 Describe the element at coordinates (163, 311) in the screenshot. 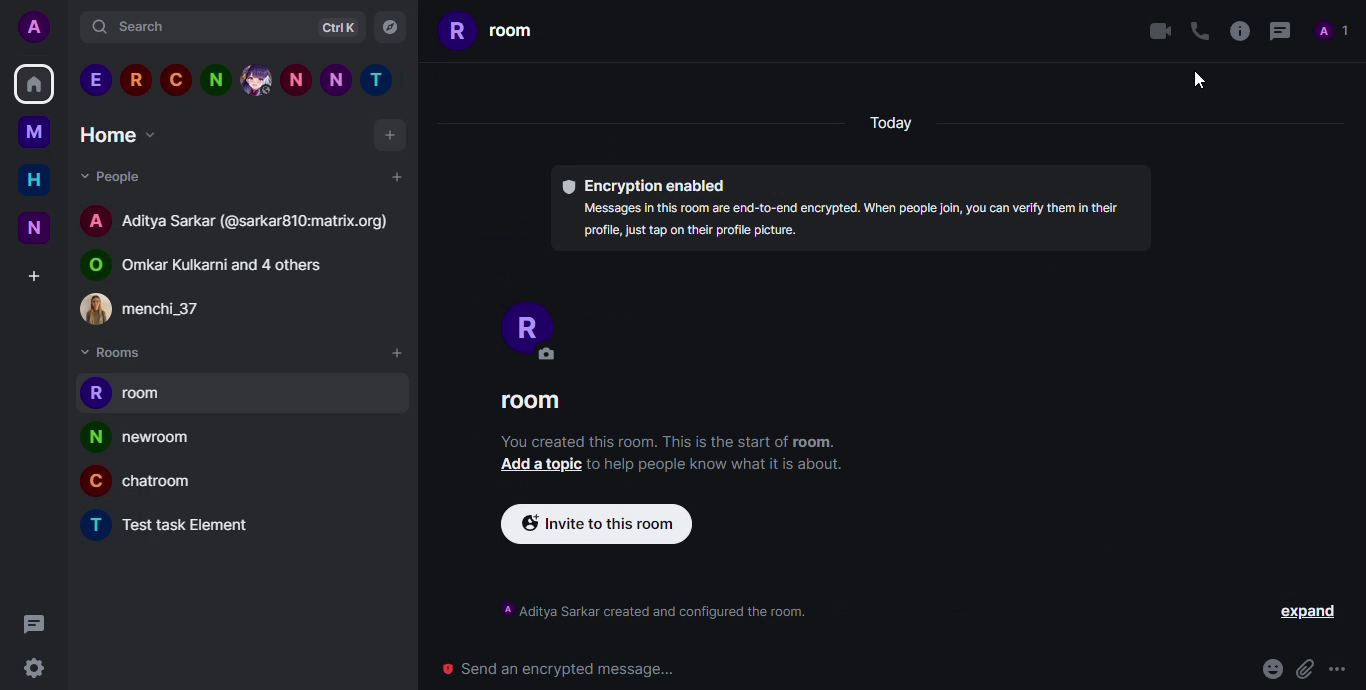

I see `people` at that location.